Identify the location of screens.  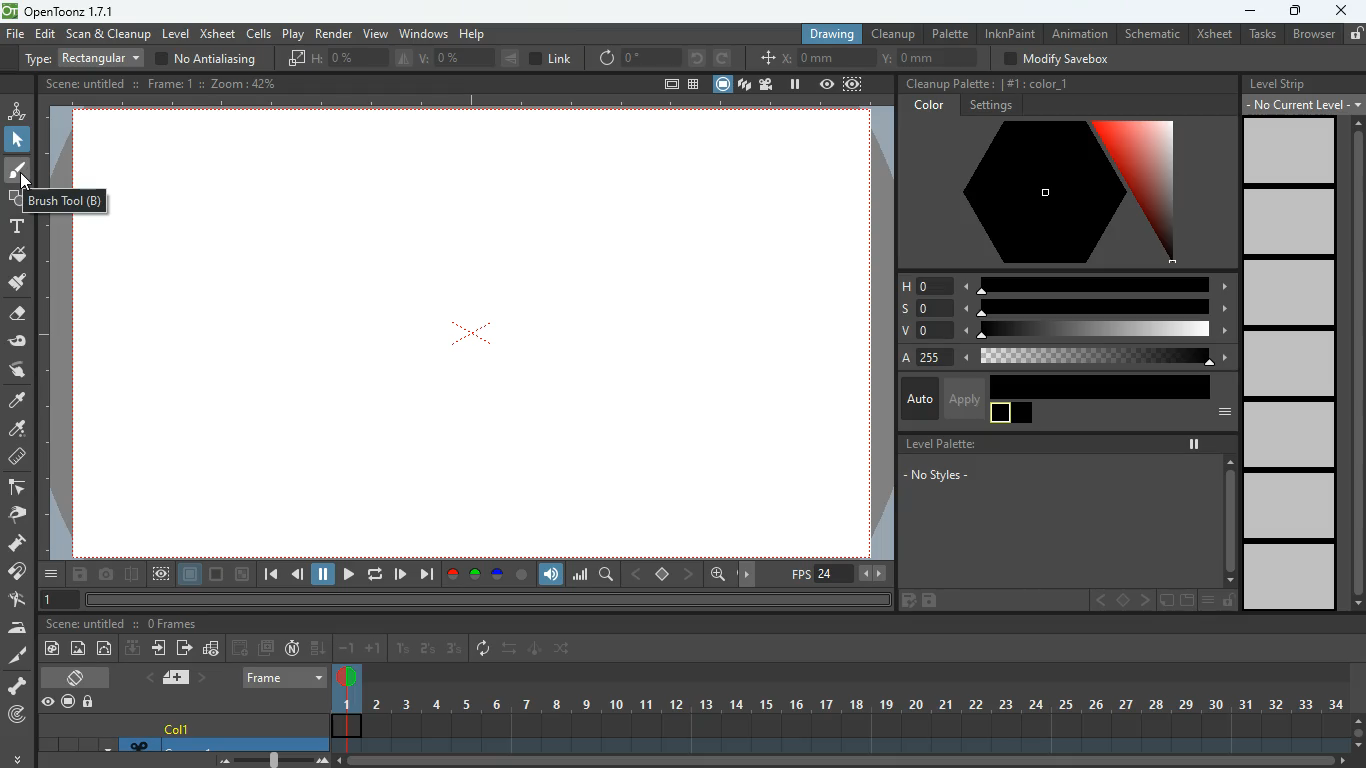
(744, 86).